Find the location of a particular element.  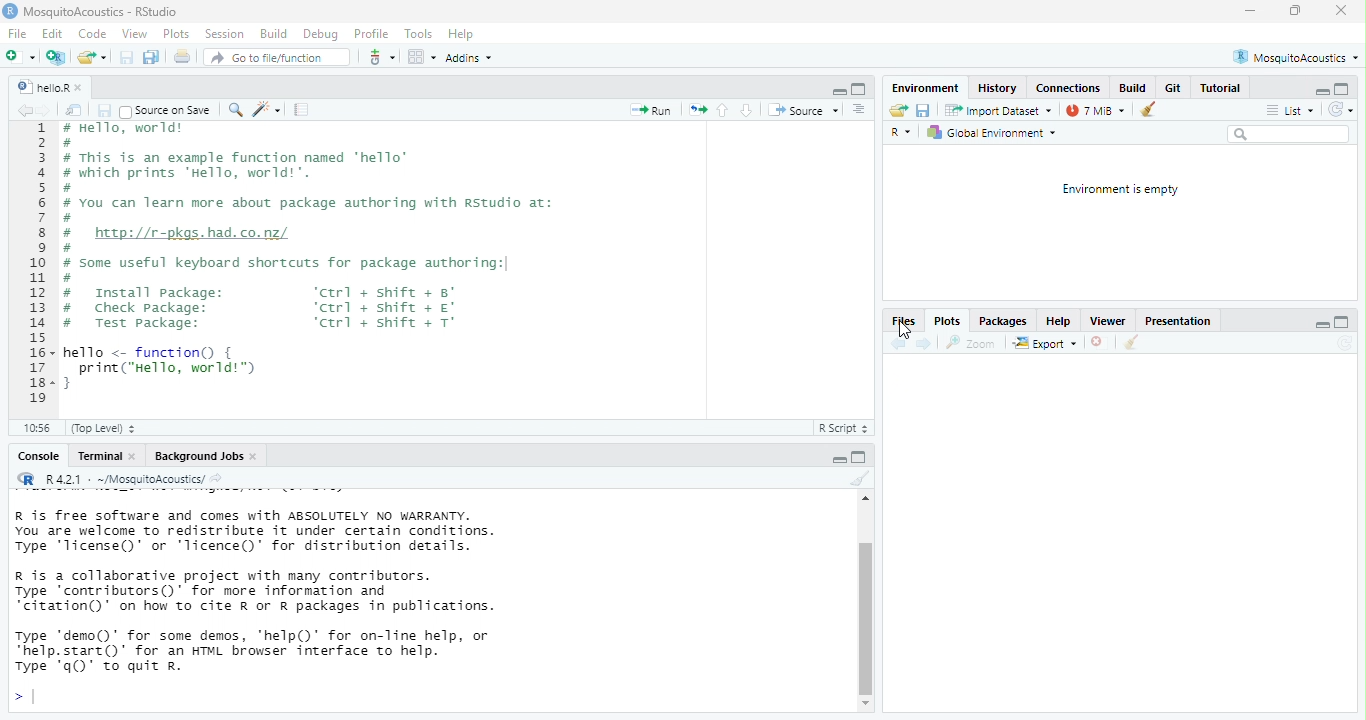

Session is located at coordinates (226, 35).